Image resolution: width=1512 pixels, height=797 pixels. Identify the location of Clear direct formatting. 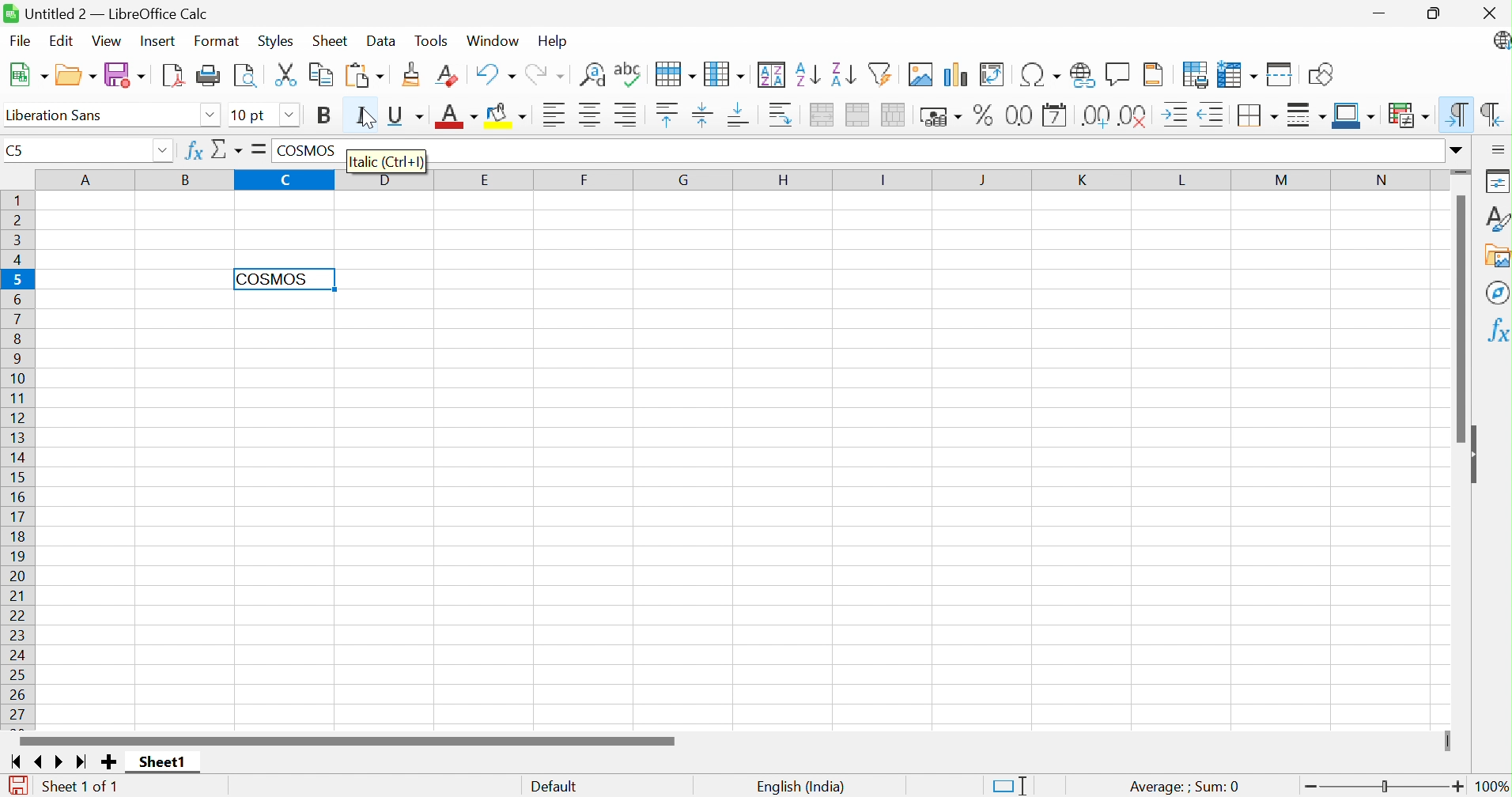
(445, 74).